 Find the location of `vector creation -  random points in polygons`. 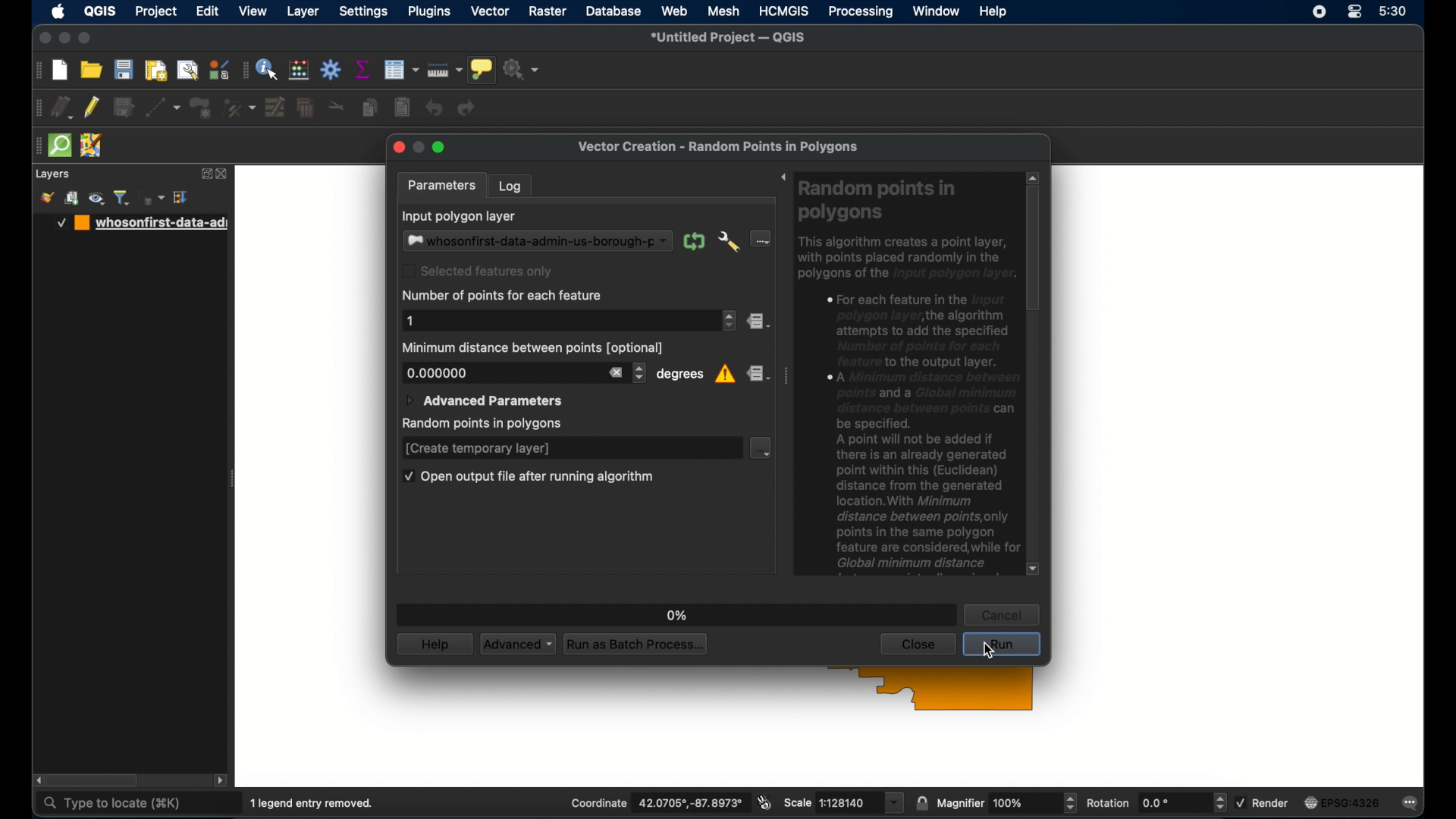

vector creation -  random points in polygons is located at coordinates (718, 146).